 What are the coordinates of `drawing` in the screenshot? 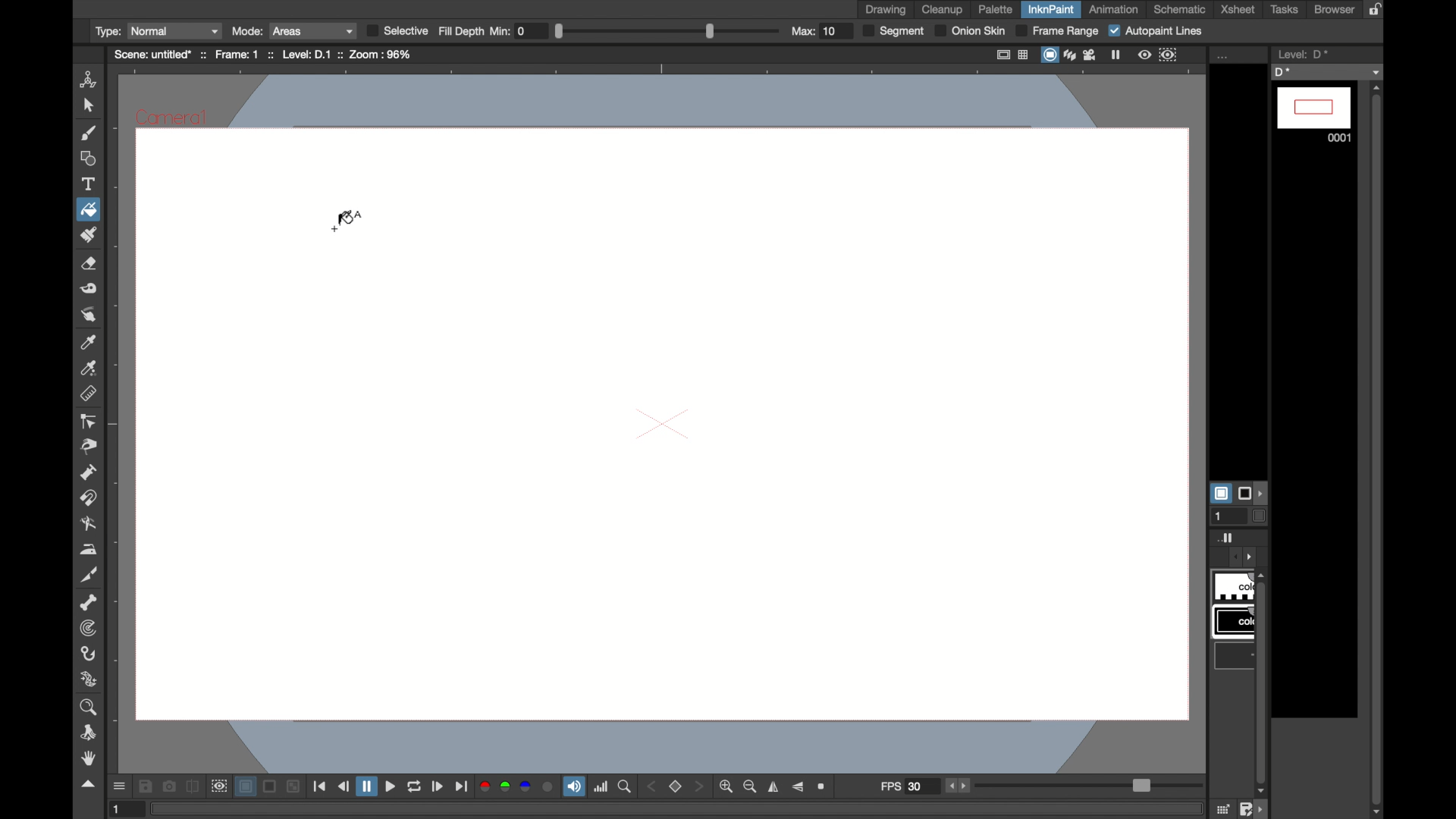 It's located at (886, 10).